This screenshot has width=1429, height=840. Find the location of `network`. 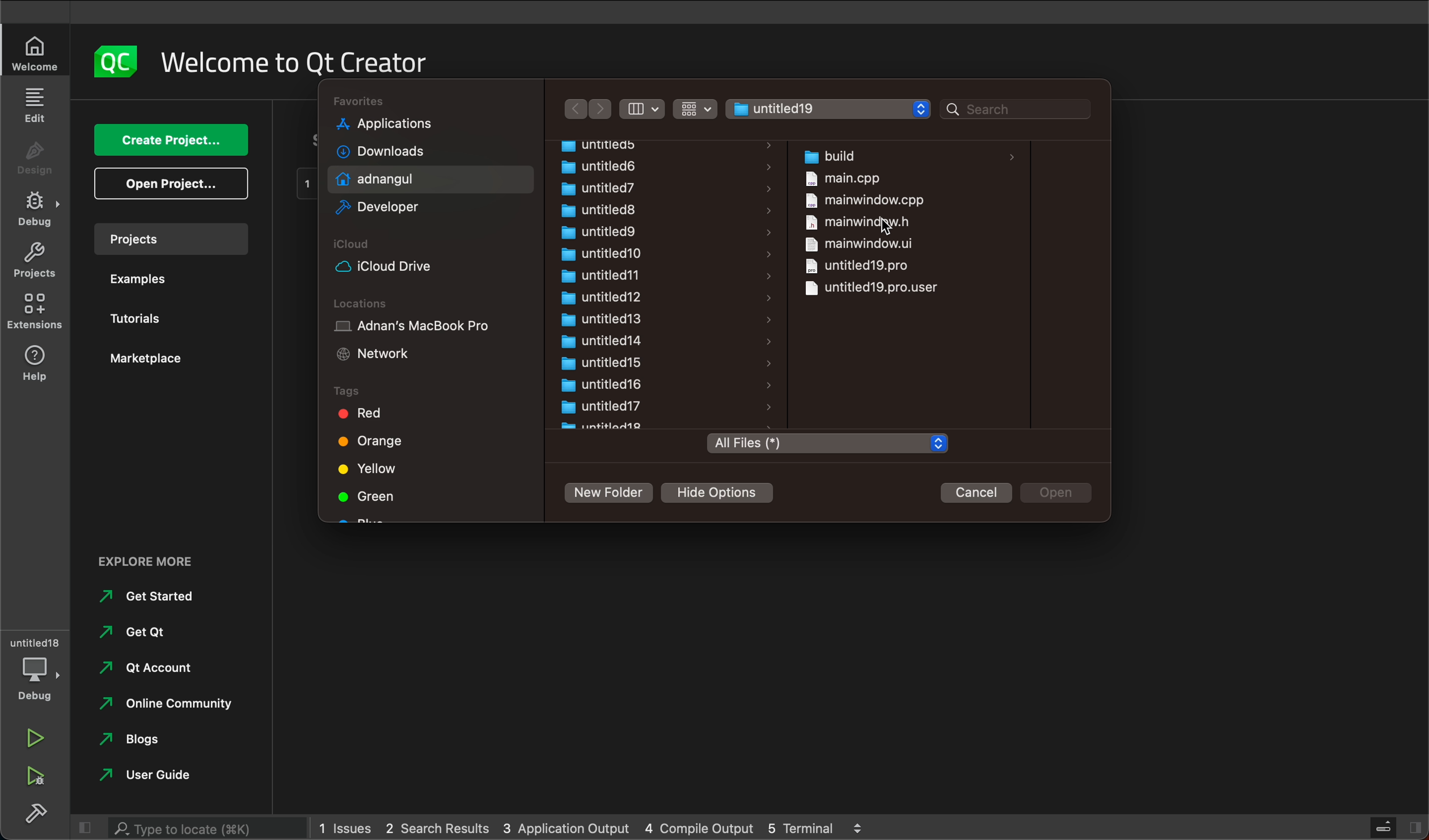

network is located at coordinates (383, 355).